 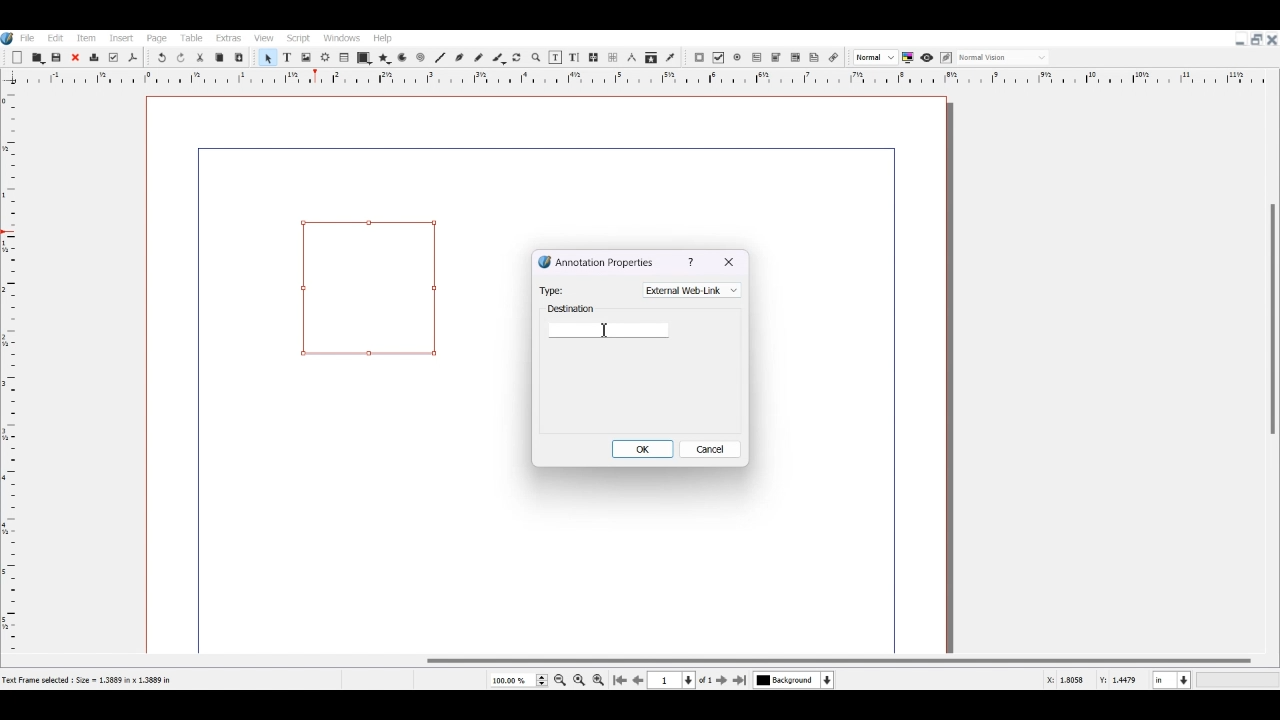 What do you see at coordinates (518, 680) in the screenshot?
I see `Select Current Page` at bounding box center [518, 680].